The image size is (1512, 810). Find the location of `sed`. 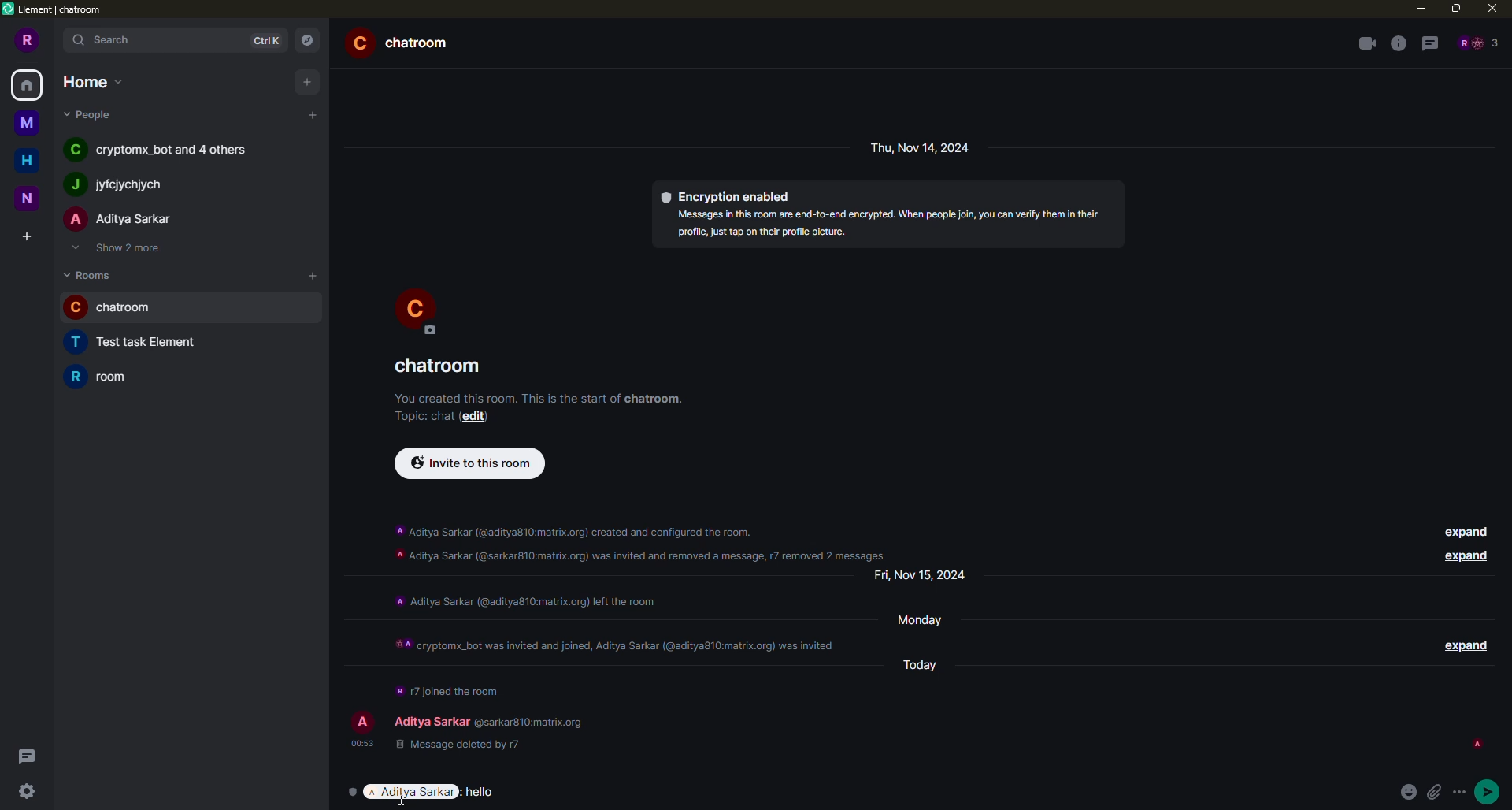

sed is located at coordinates (1489, 790).